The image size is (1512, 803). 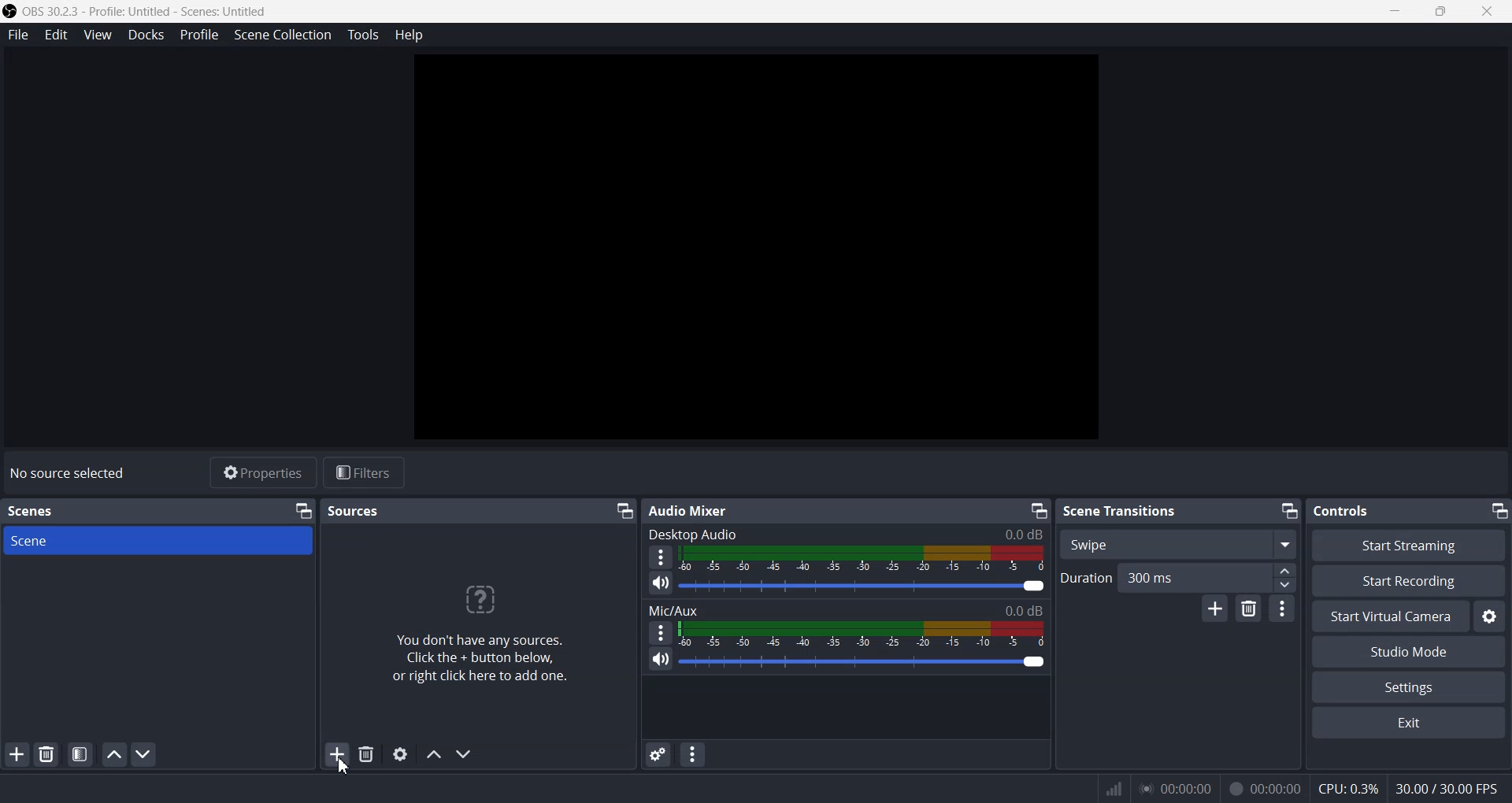 I want to click on Open source Properties, so click(x=400, y=753).